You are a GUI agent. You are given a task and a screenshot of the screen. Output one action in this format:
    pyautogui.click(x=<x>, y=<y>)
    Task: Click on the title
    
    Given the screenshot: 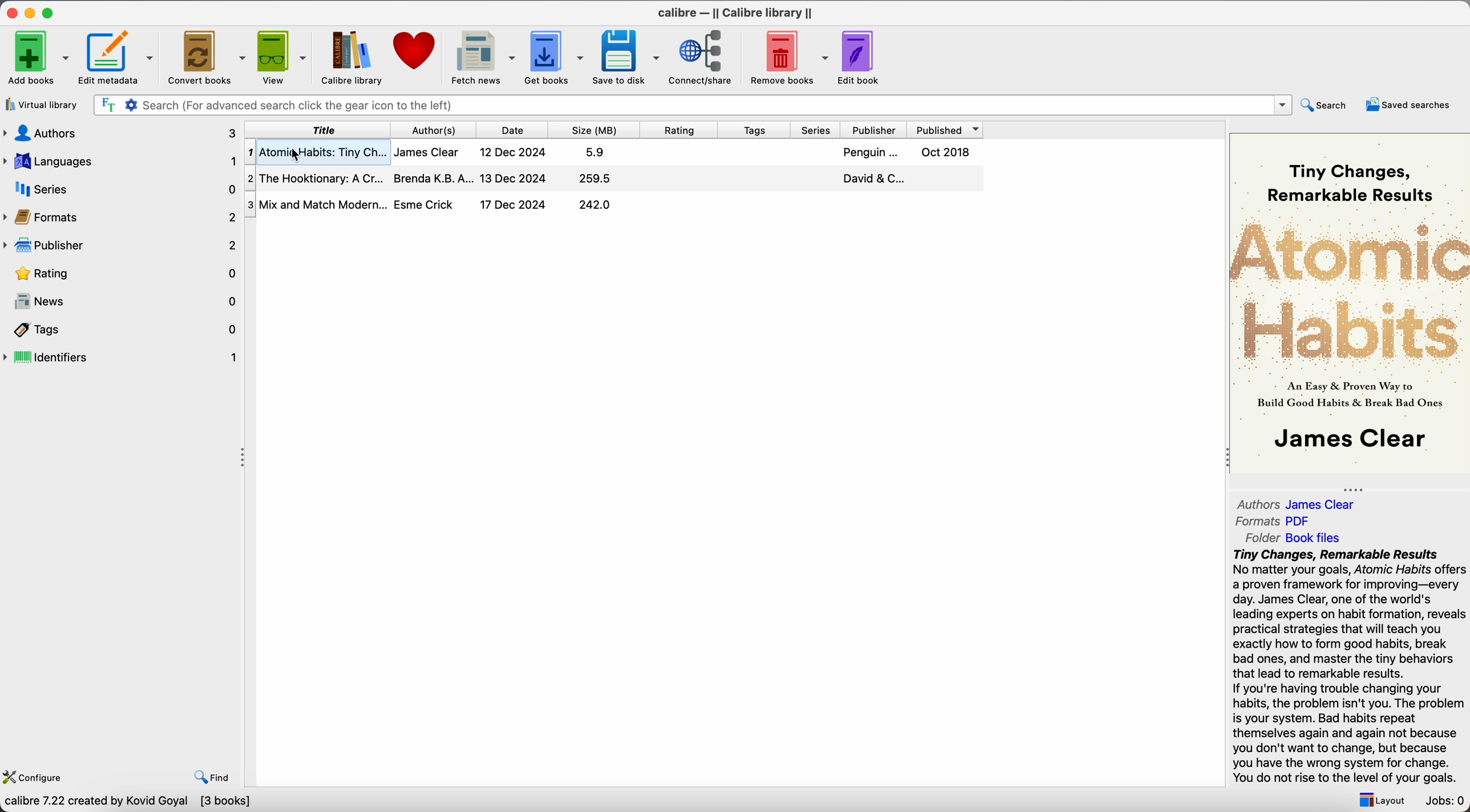 What is the action you would take?
    pyautogui.click(x=324, y=130)
    